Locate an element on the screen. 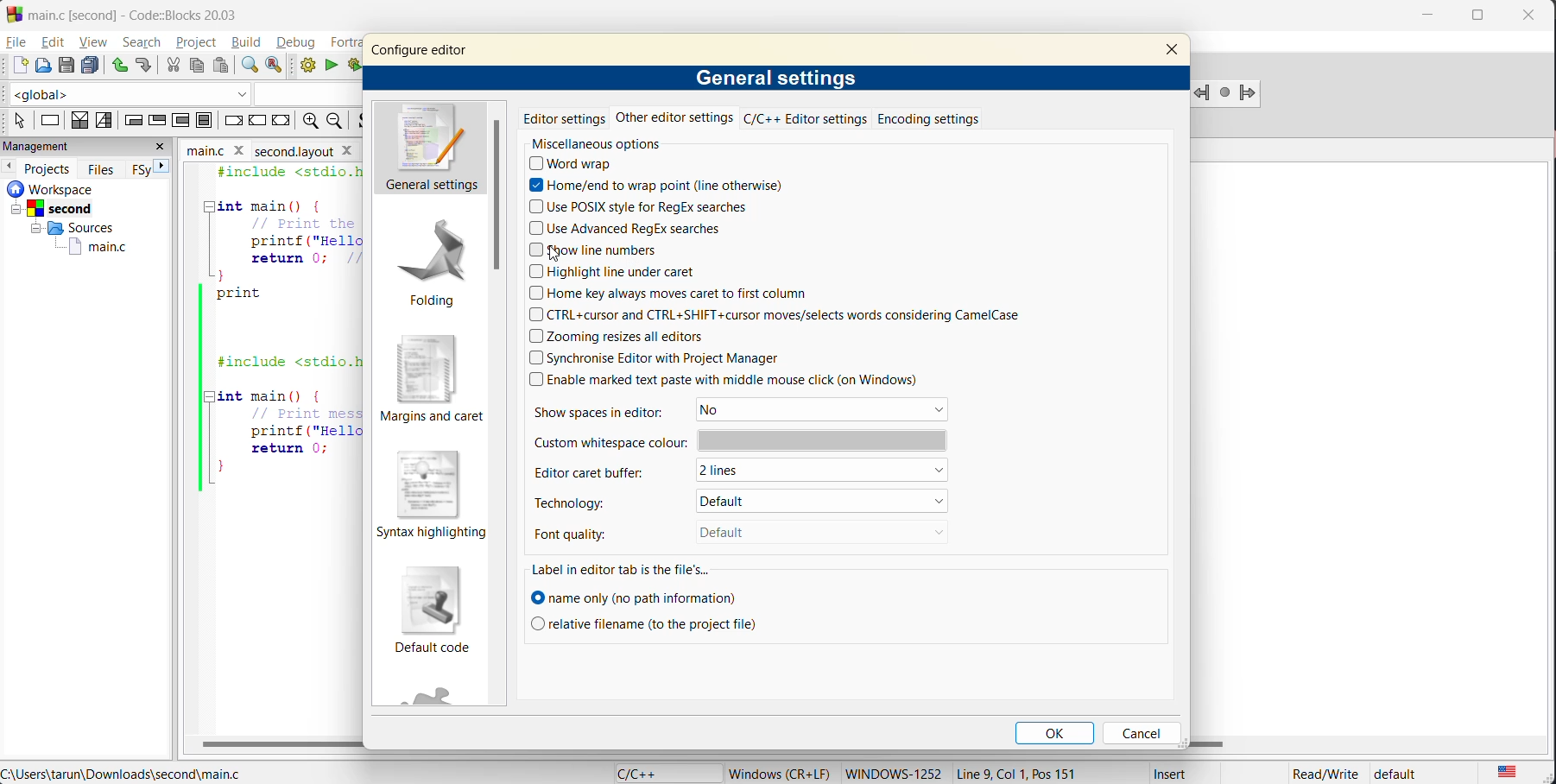  zoom out is located at coordinates (310, 122).